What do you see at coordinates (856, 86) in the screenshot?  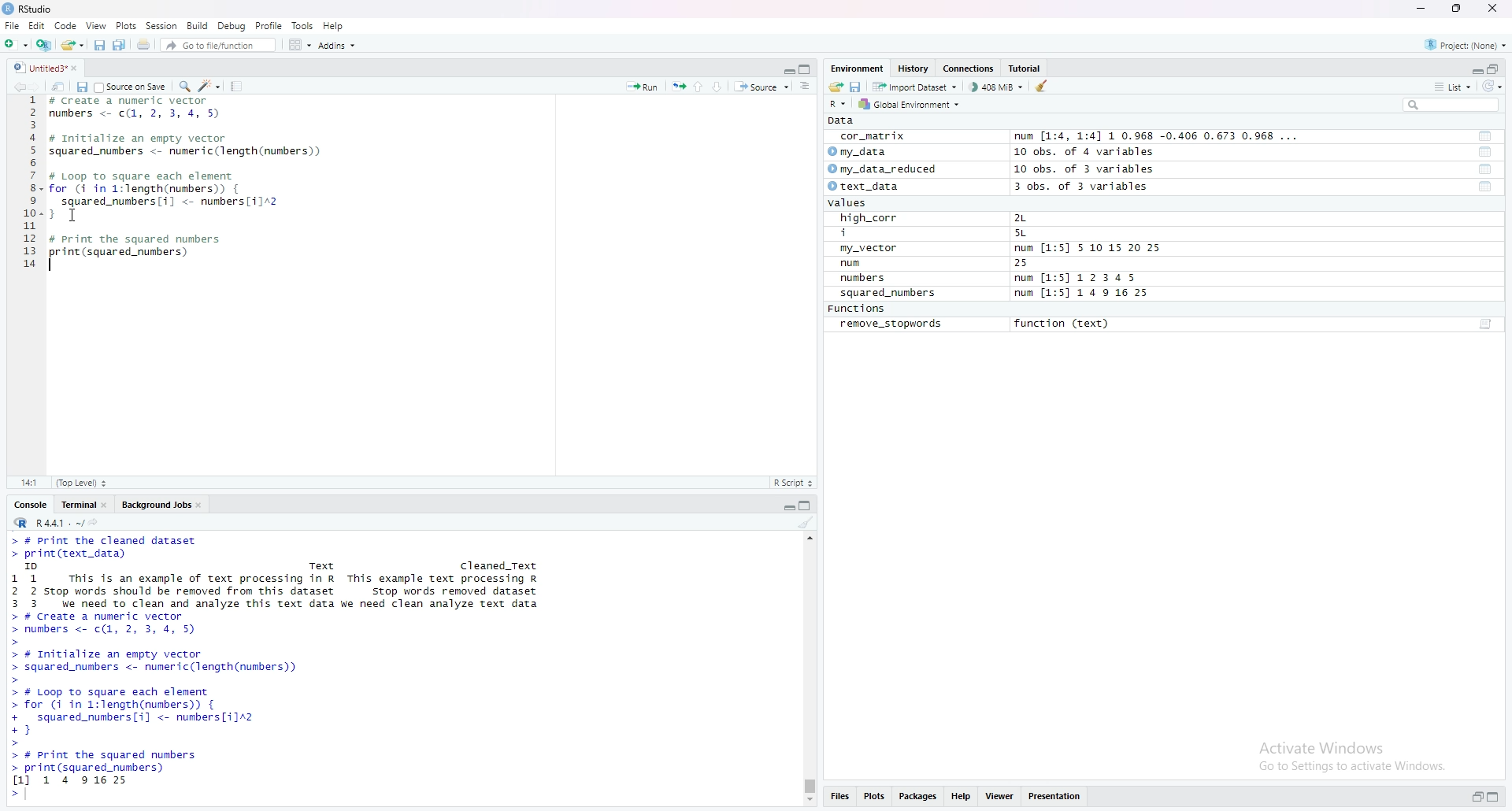 I see `save workspace` at bounding box center [856, 86].